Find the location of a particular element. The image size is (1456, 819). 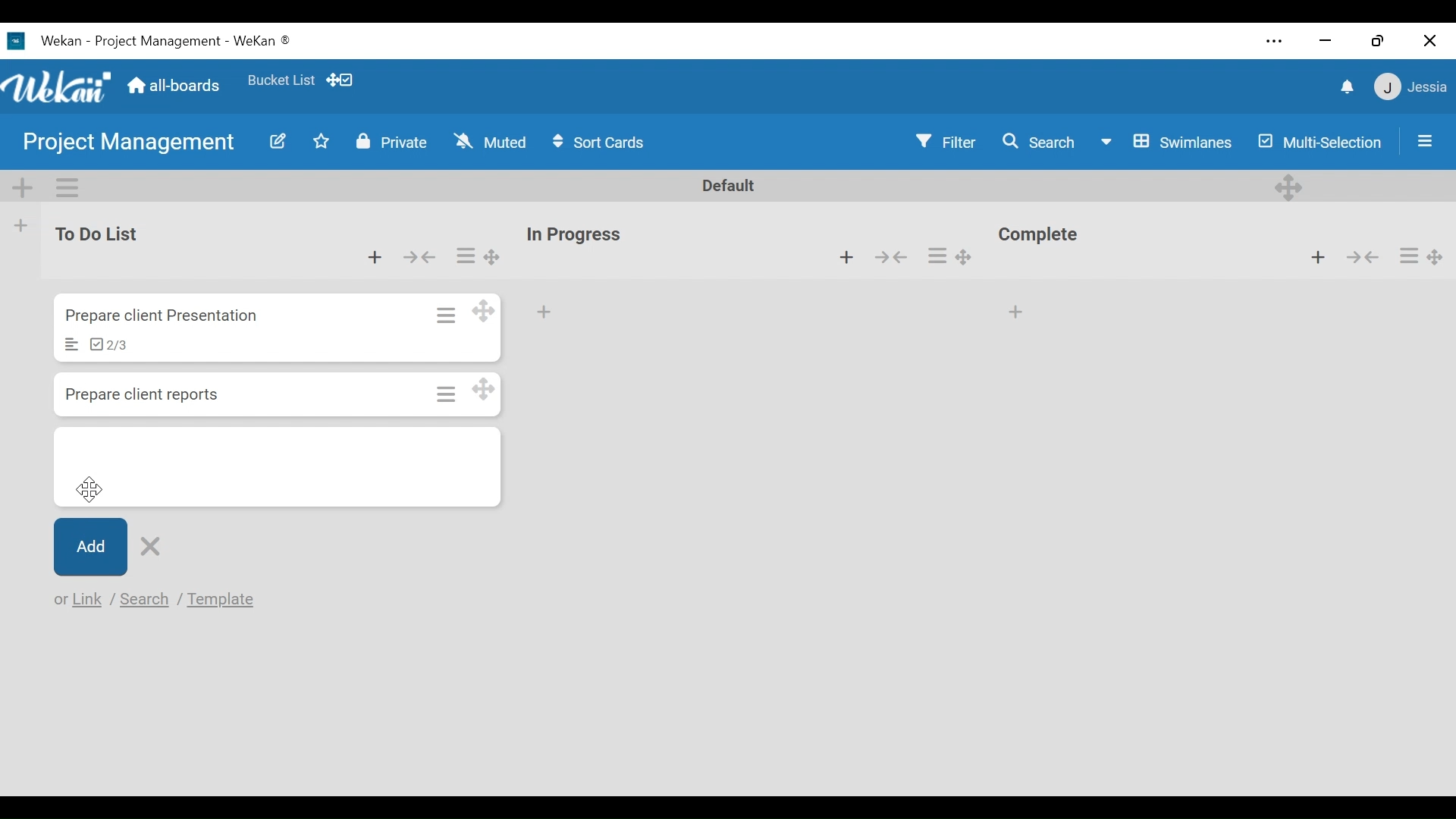

Desktop drag handles is located at coordinates (1439, 253).